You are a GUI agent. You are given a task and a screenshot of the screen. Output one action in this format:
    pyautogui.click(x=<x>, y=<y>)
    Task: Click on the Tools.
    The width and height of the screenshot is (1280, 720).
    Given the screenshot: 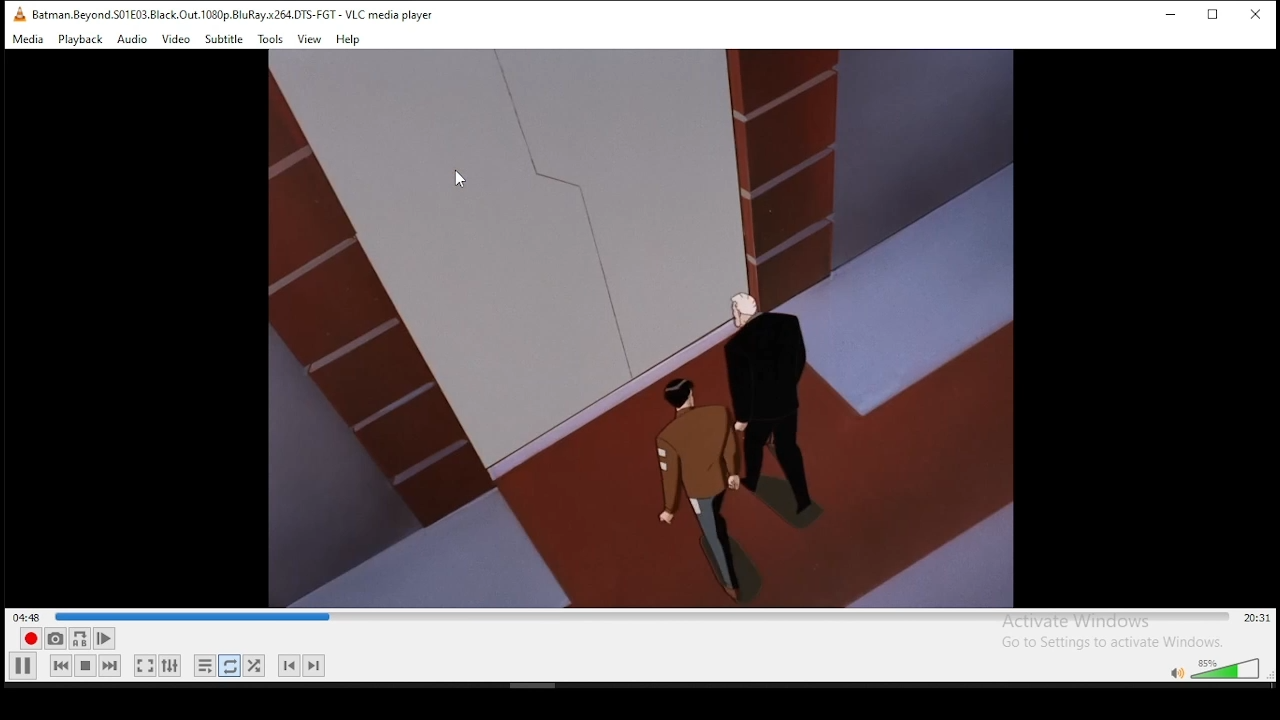 What is the action you would take?
    pyautogui.click(x=270, y=40)
    